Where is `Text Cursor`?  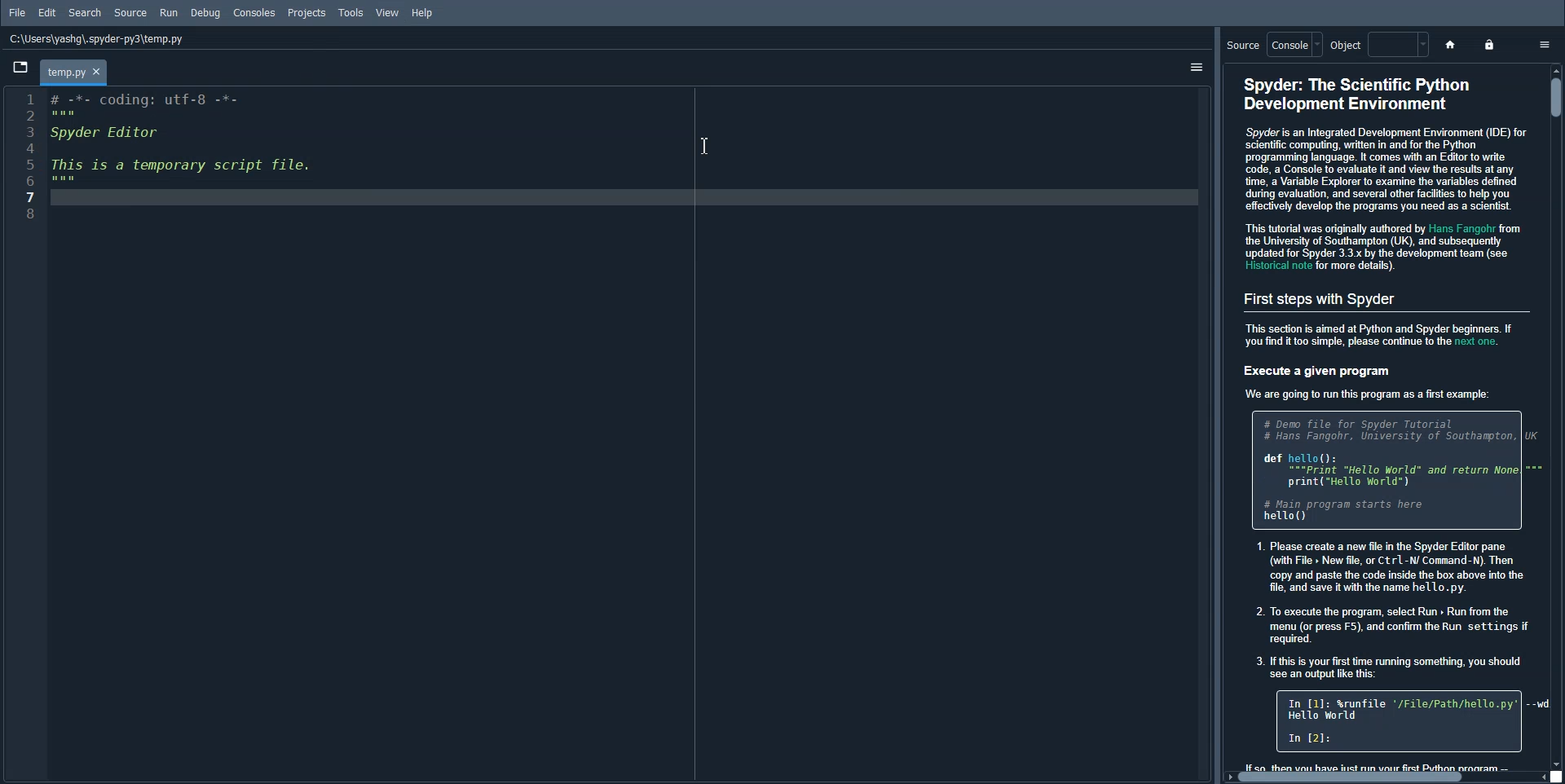
Text Cursor is located at coordinates (703, 143).